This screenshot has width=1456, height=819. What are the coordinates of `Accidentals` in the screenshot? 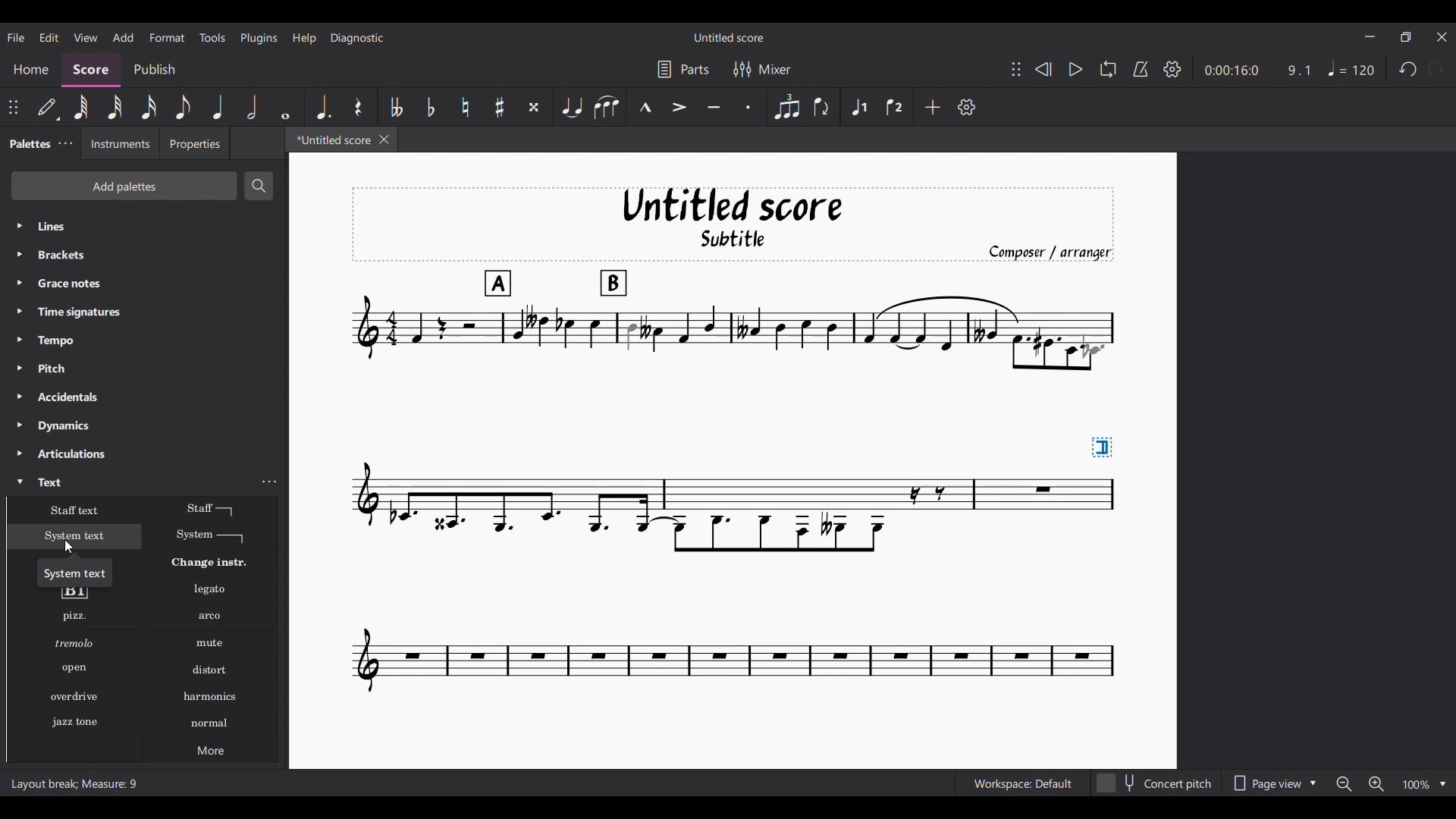 It's located at (143, 397).